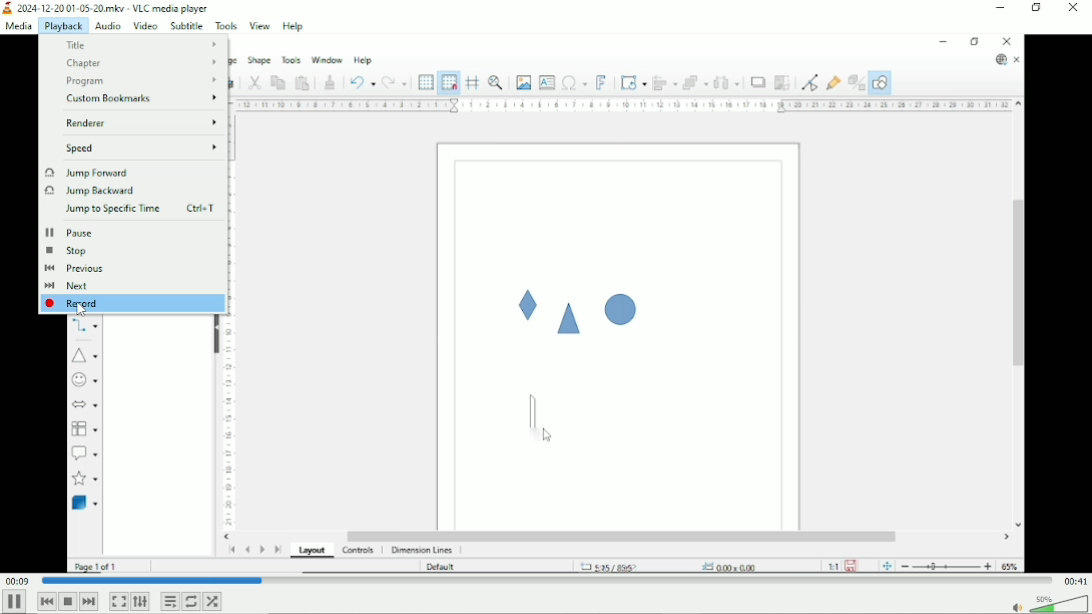  What do you see at coordinates (545, 580) in the screenshot?
I see `Play duration` at bounding box center [545, 580].